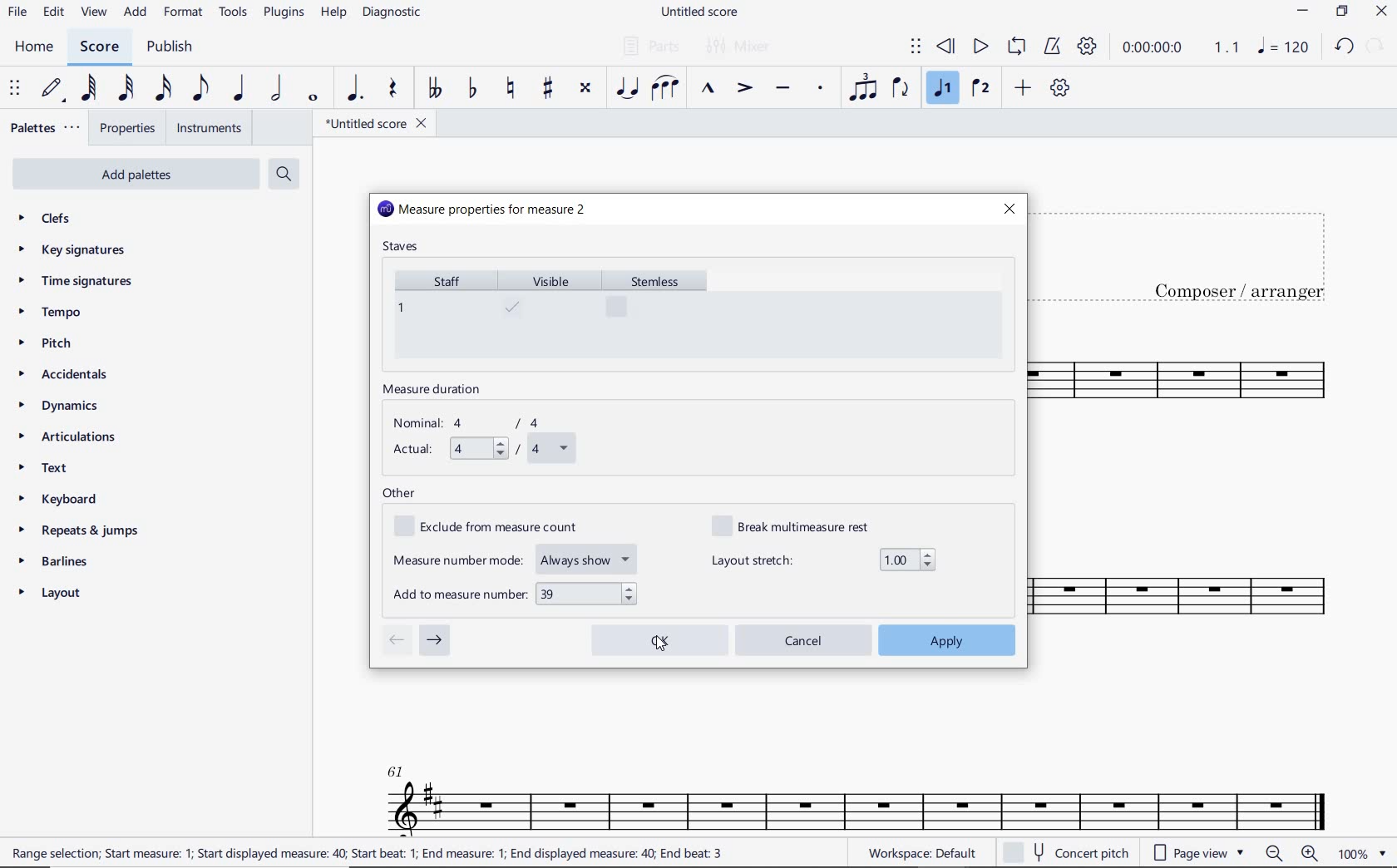  What do you see at coordinates (650, 45) in the screenshot?
I see `PARTS` at bounding box center [650, 45].